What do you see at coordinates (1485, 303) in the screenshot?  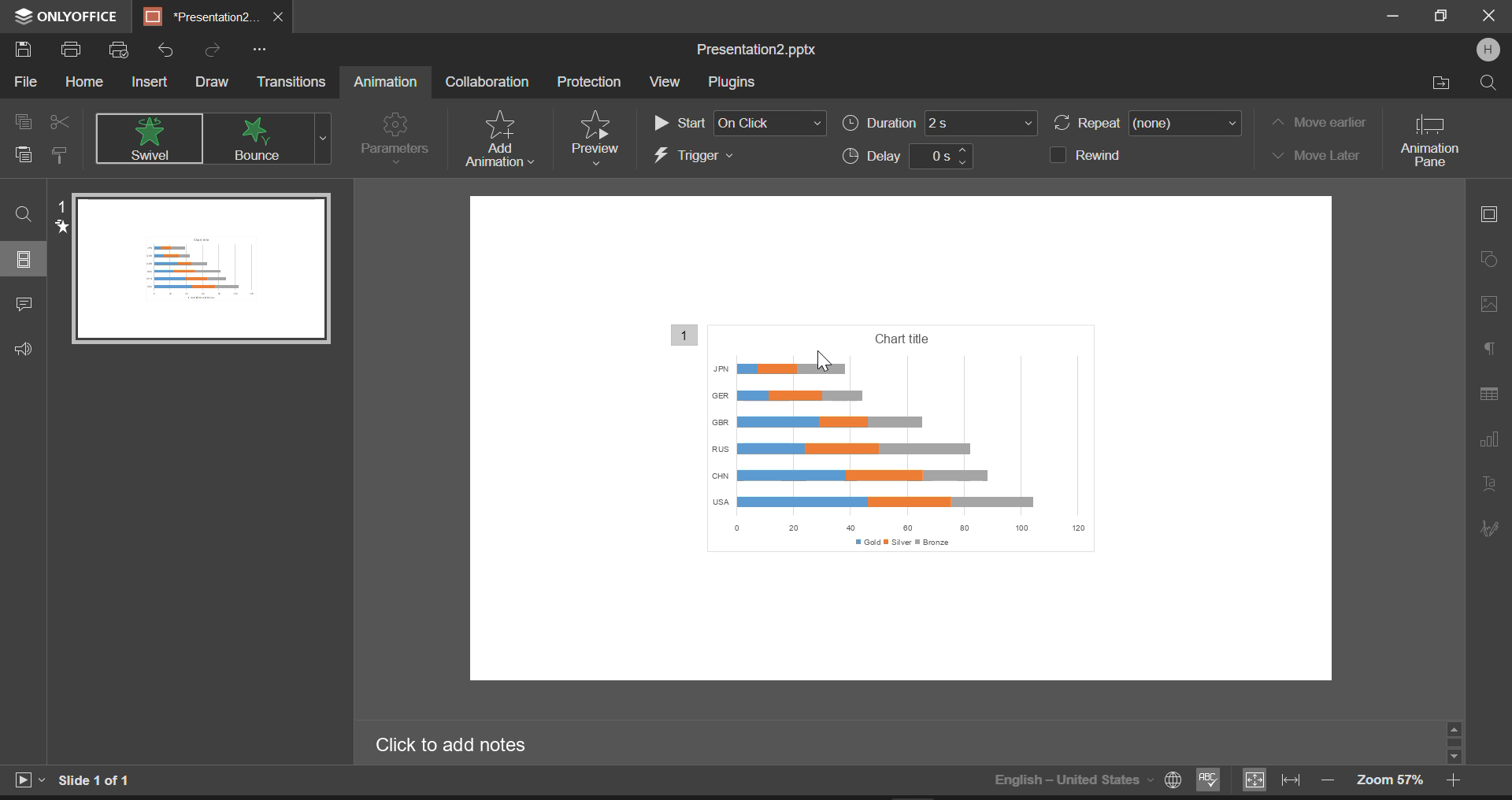 I see `Picture Settings` at bounding box center [1485, 303].